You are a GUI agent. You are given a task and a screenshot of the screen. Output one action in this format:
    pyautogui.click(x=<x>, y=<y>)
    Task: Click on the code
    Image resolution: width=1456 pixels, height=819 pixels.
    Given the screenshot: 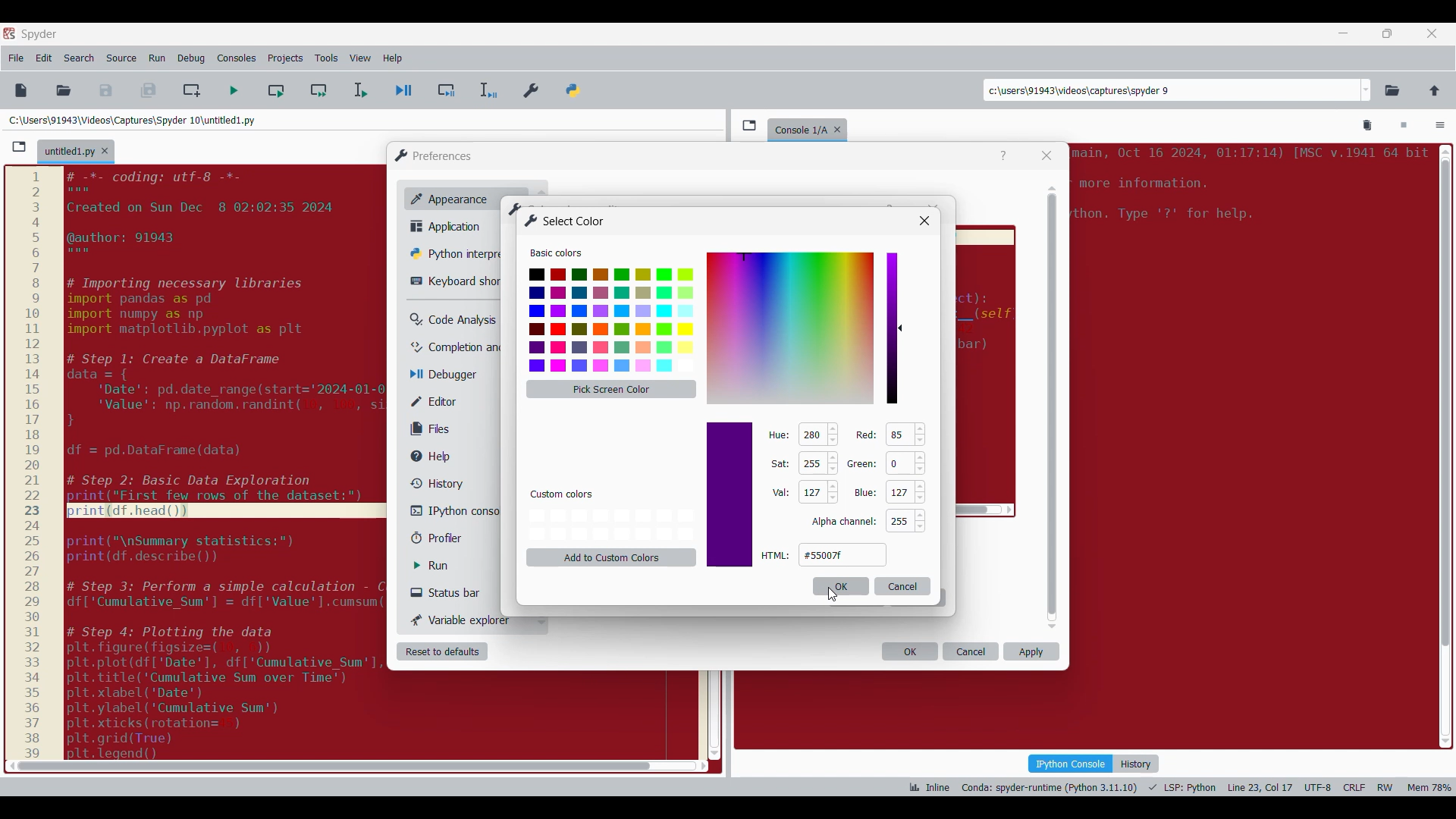 What is the action you would take?
    pyautogui.click(x=1247, y=190)
    